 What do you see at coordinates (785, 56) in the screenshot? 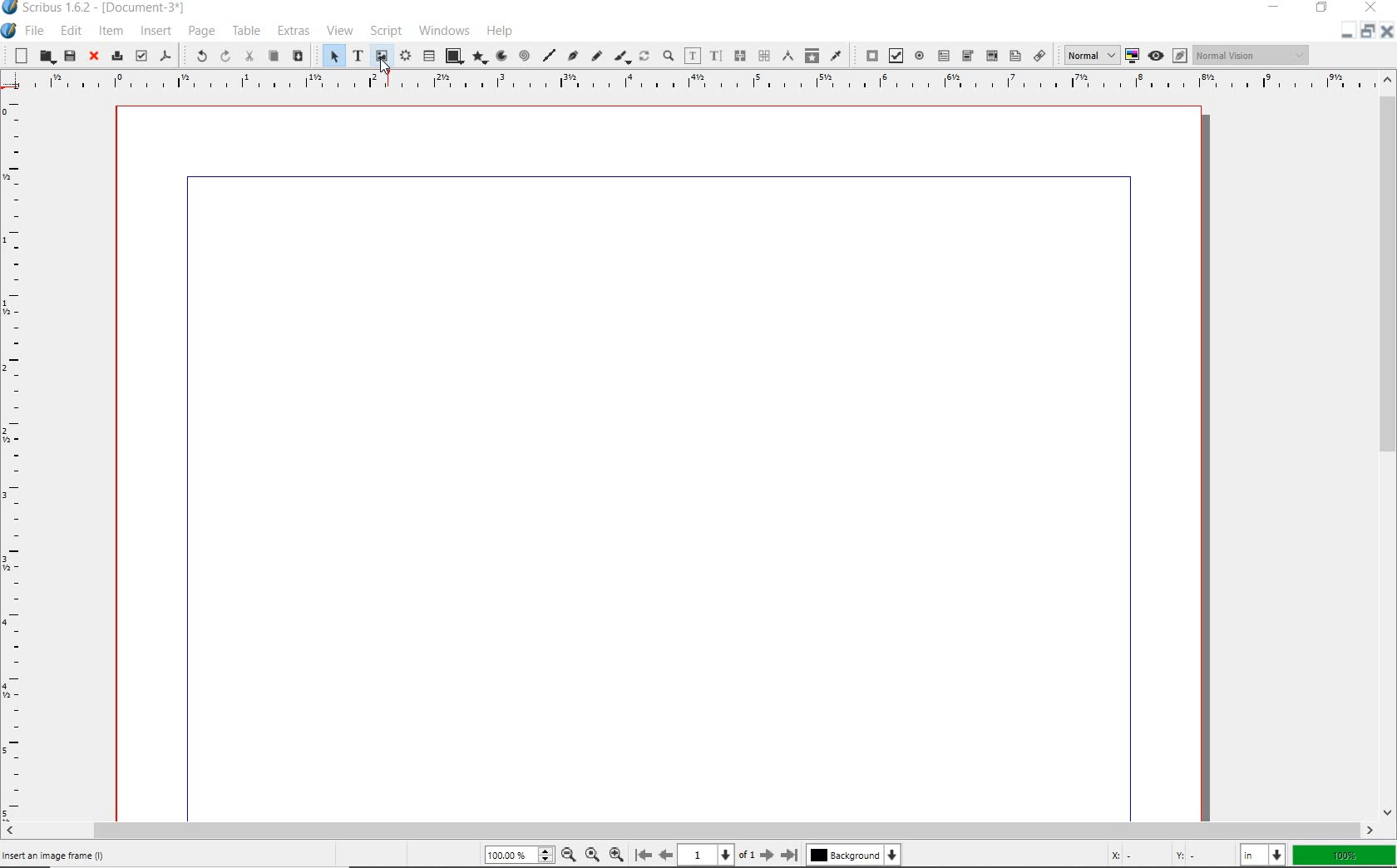
I see `measurements` at bounding box center [785, 56].